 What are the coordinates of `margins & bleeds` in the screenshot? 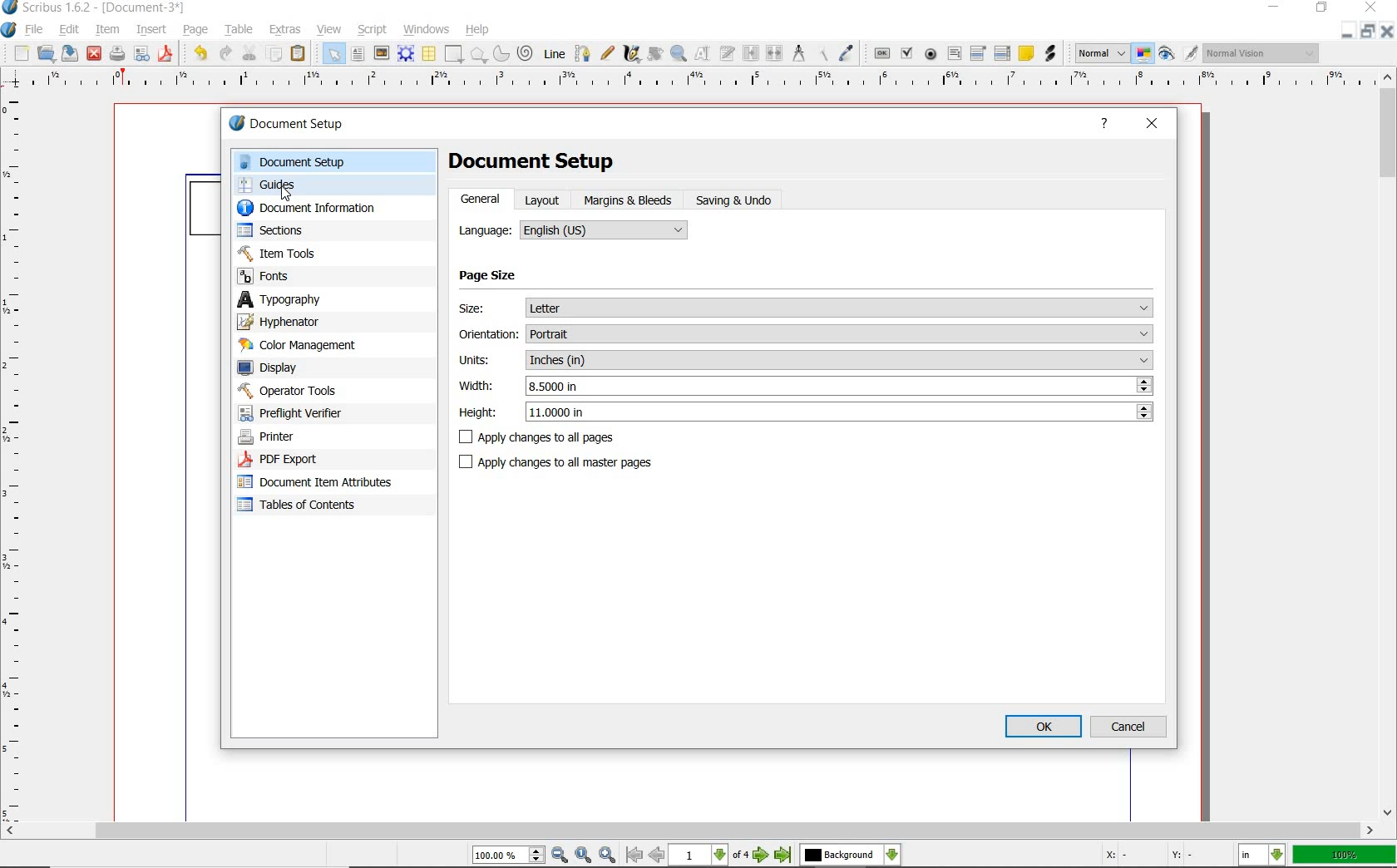 It's located at (629, 201).